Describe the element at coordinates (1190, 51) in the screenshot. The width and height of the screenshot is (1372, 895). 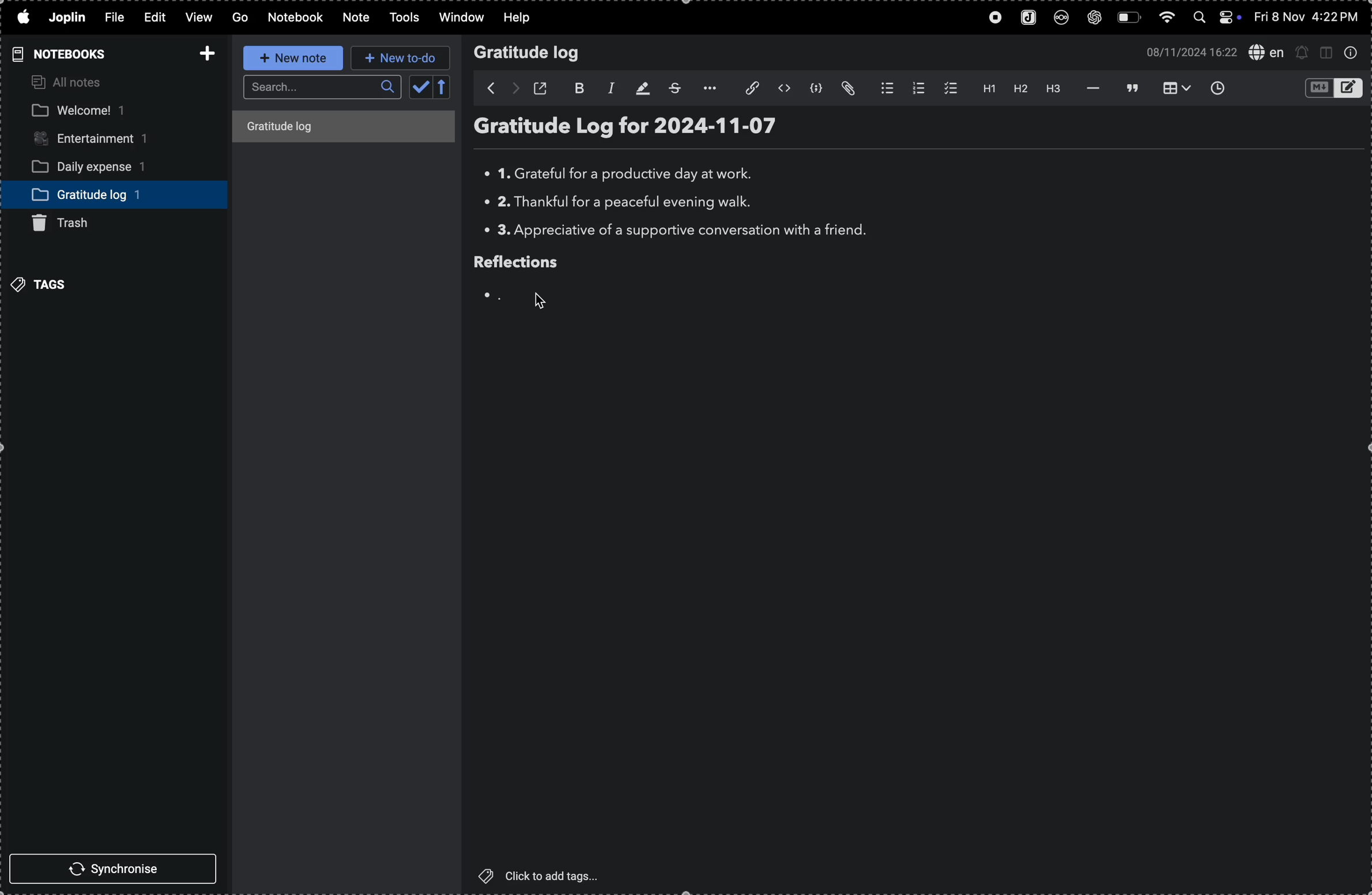
I see `date and time` at that location.